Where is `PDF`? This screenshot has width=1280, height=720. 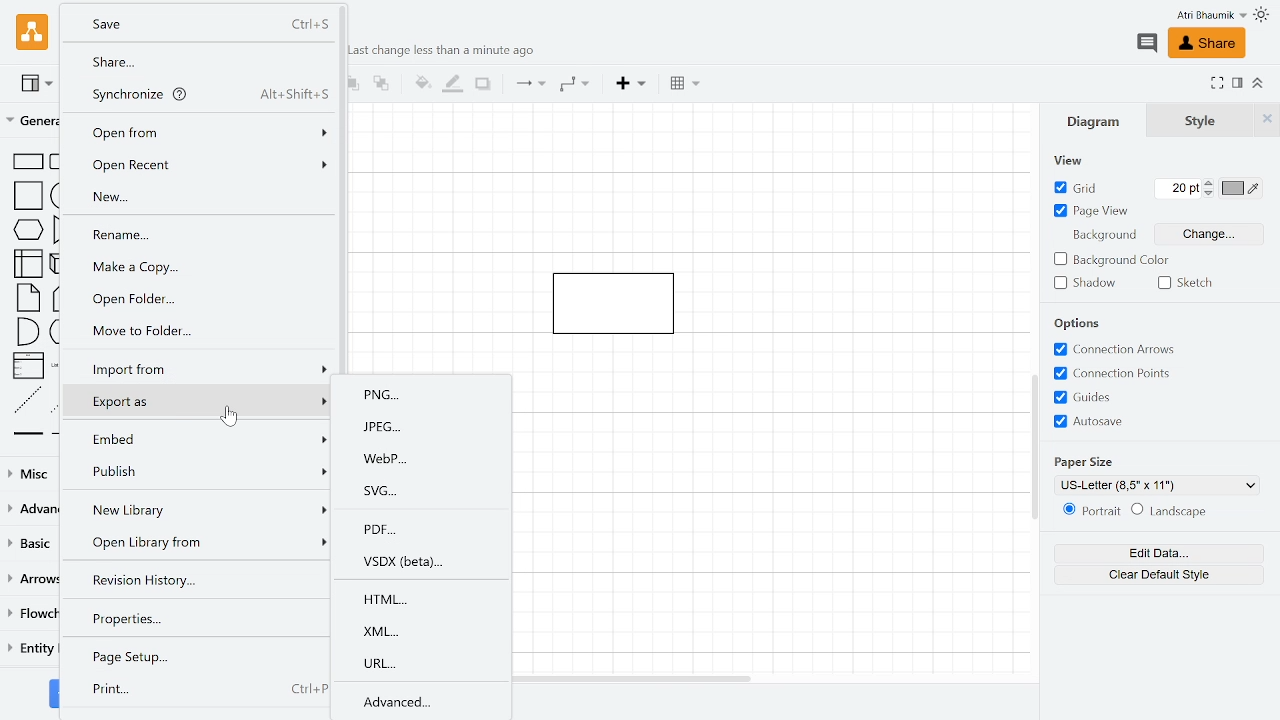 PDF is located at coordinates (427, 528).